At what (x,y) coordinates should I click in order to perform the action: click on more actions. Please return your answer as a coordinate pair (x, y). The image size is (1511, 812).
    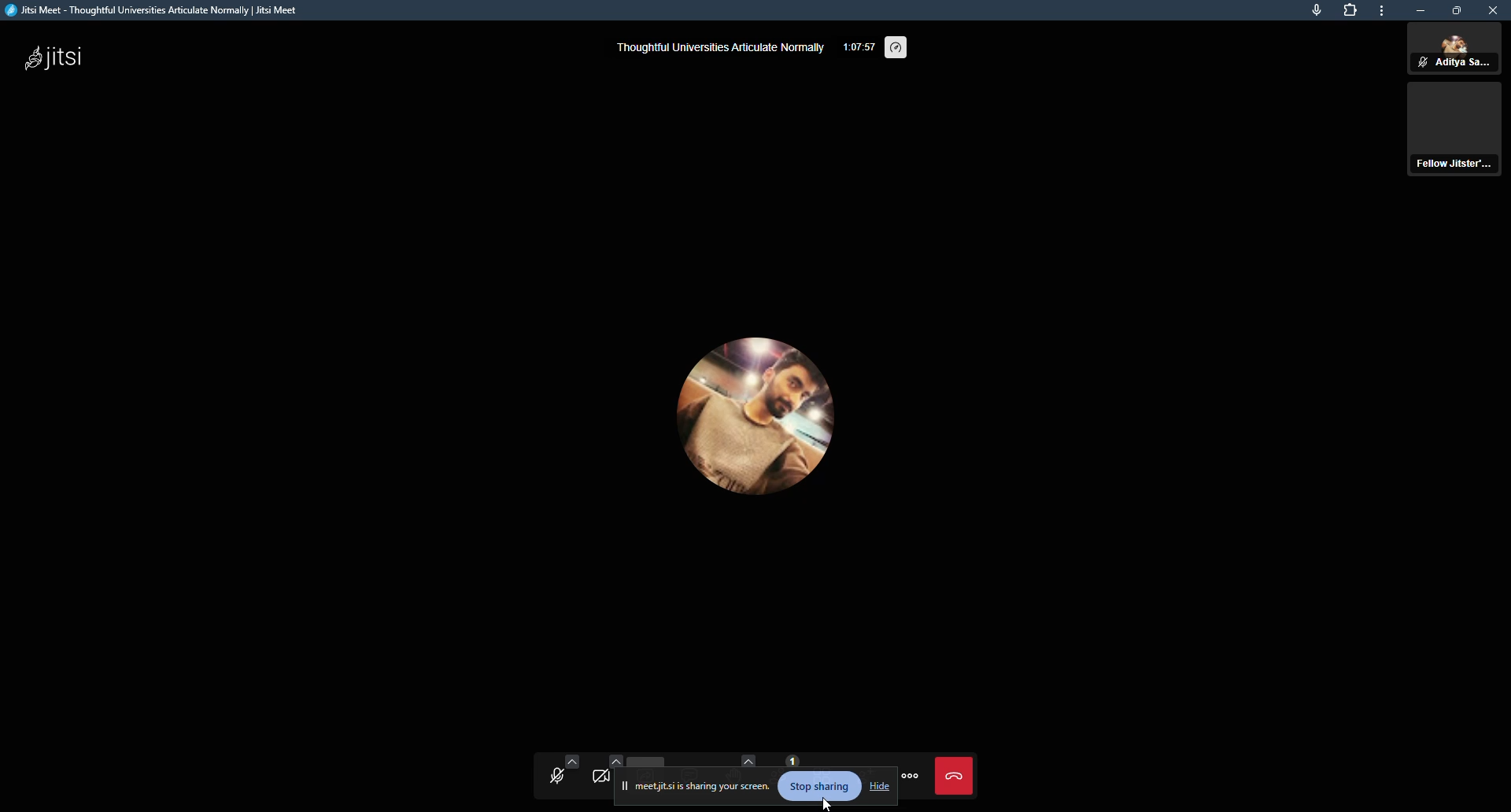
    Looking at the image, I should click on (913, 779).